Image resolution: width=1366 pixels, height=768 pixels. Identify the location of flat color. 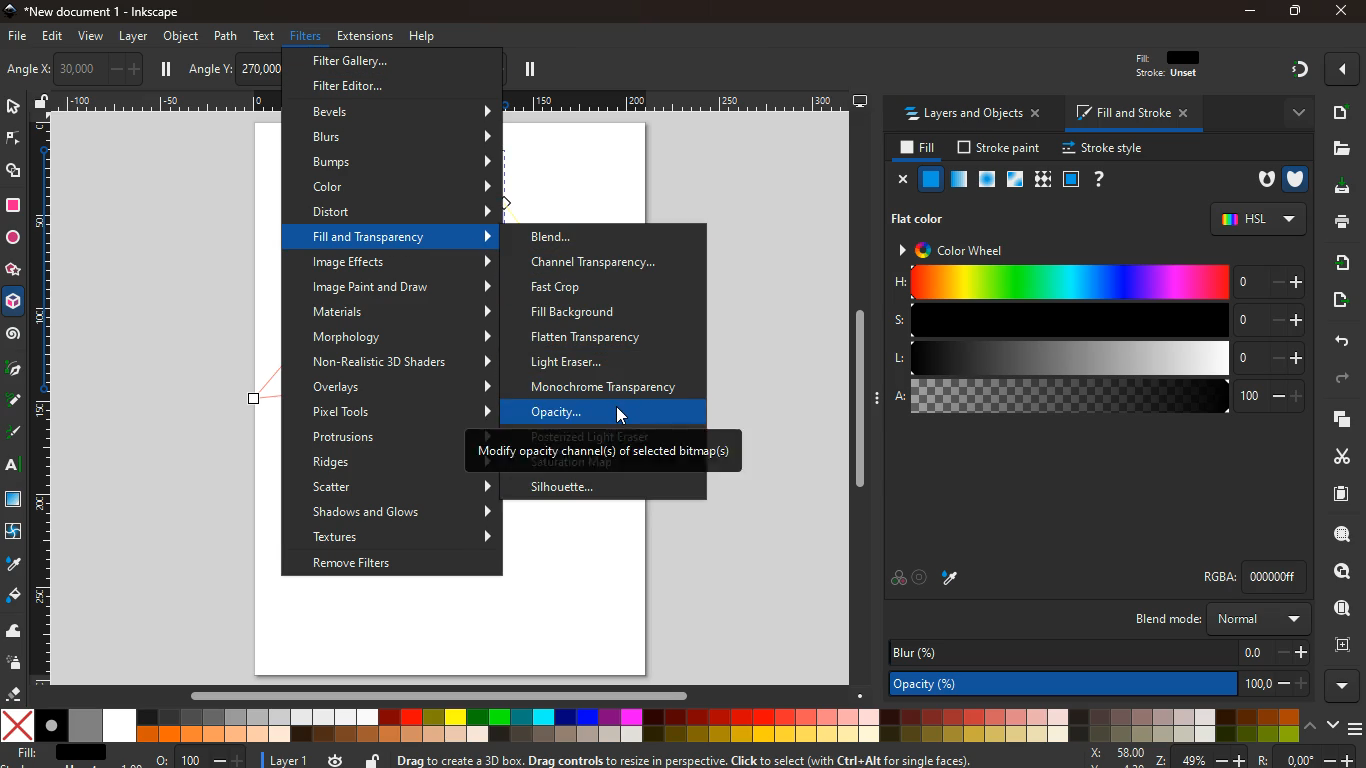
(924, 218).